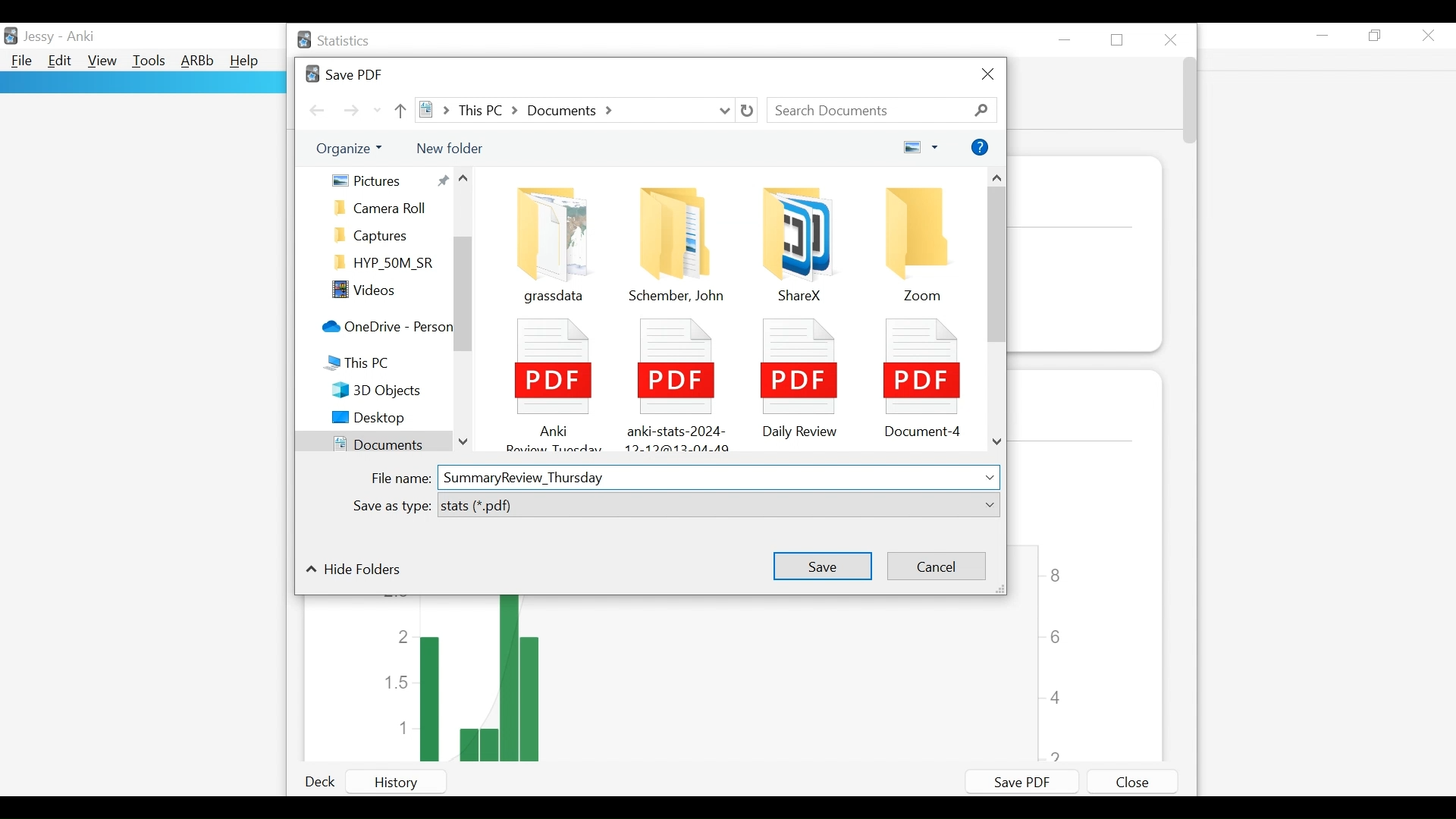  What do you see at coordinates (354, 571) in the screenshot?
I see `ide folder` at bounding box center [354, 571].